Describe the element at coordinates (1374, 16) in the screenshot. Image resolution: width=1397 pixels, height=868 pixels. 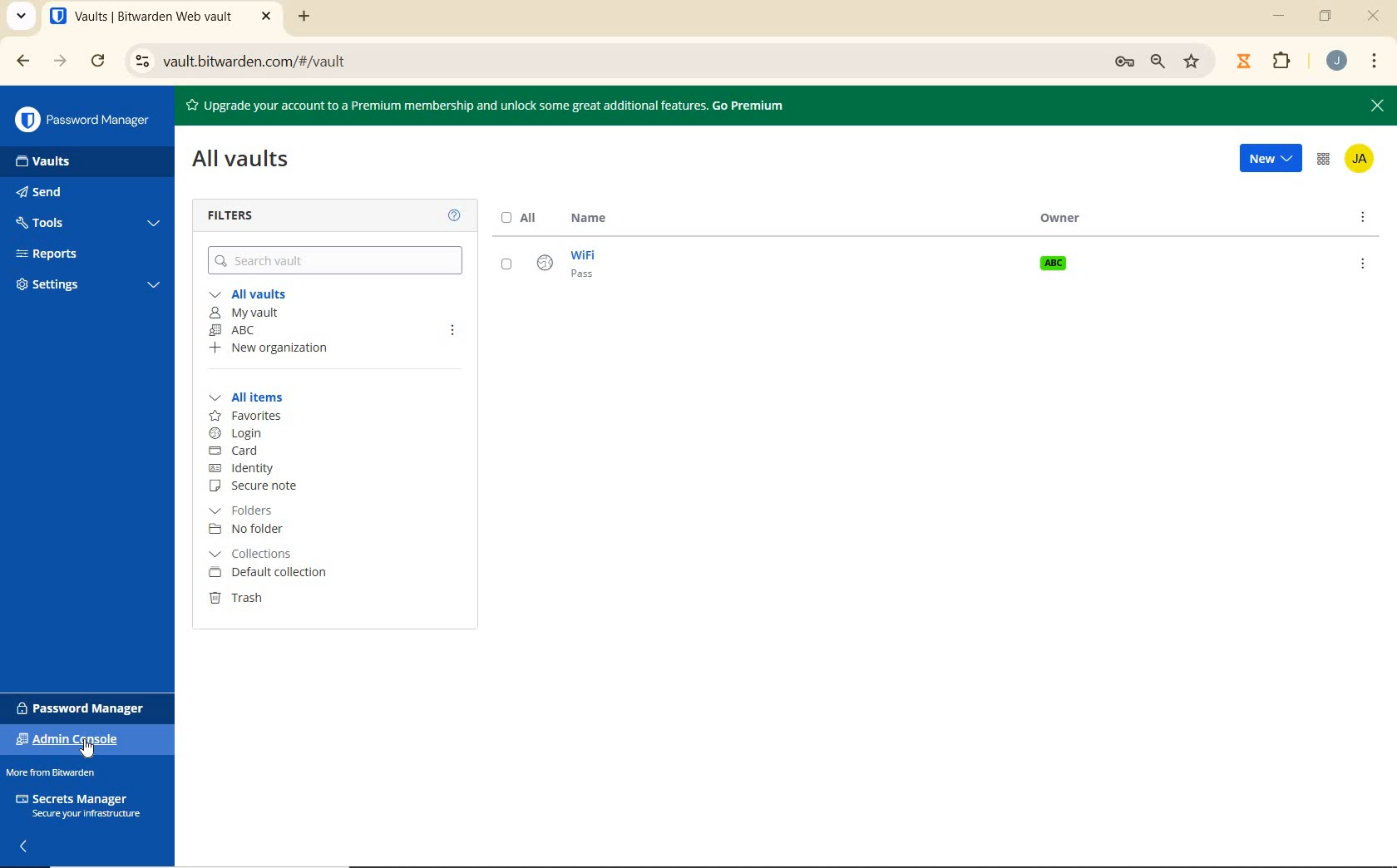
I see `CLOSE` at that location.